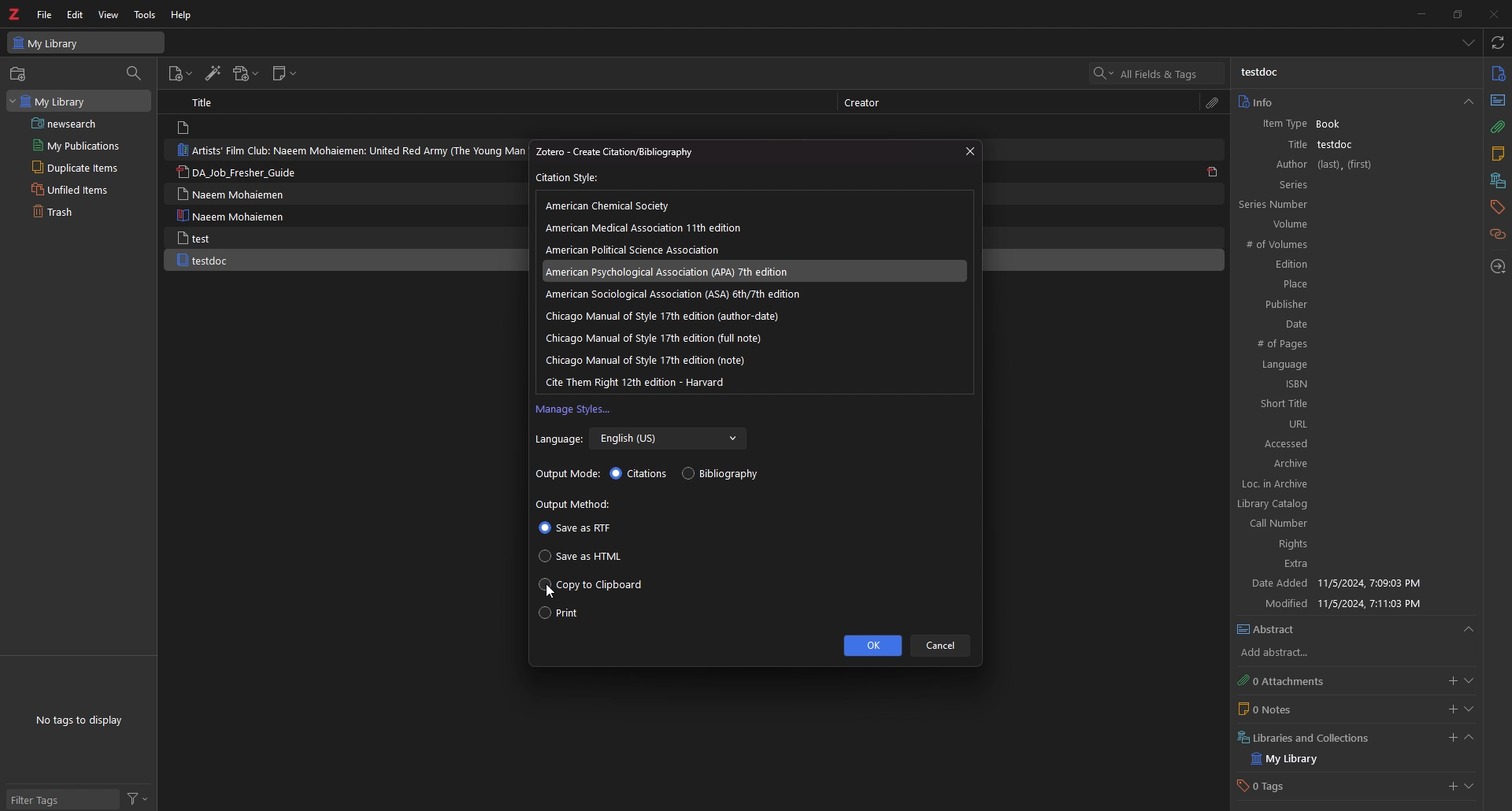 This screenshot has height=811, width=1512. Describe the element at coordinates (1352, 424) in the screenshot. I see `URL` at that location.